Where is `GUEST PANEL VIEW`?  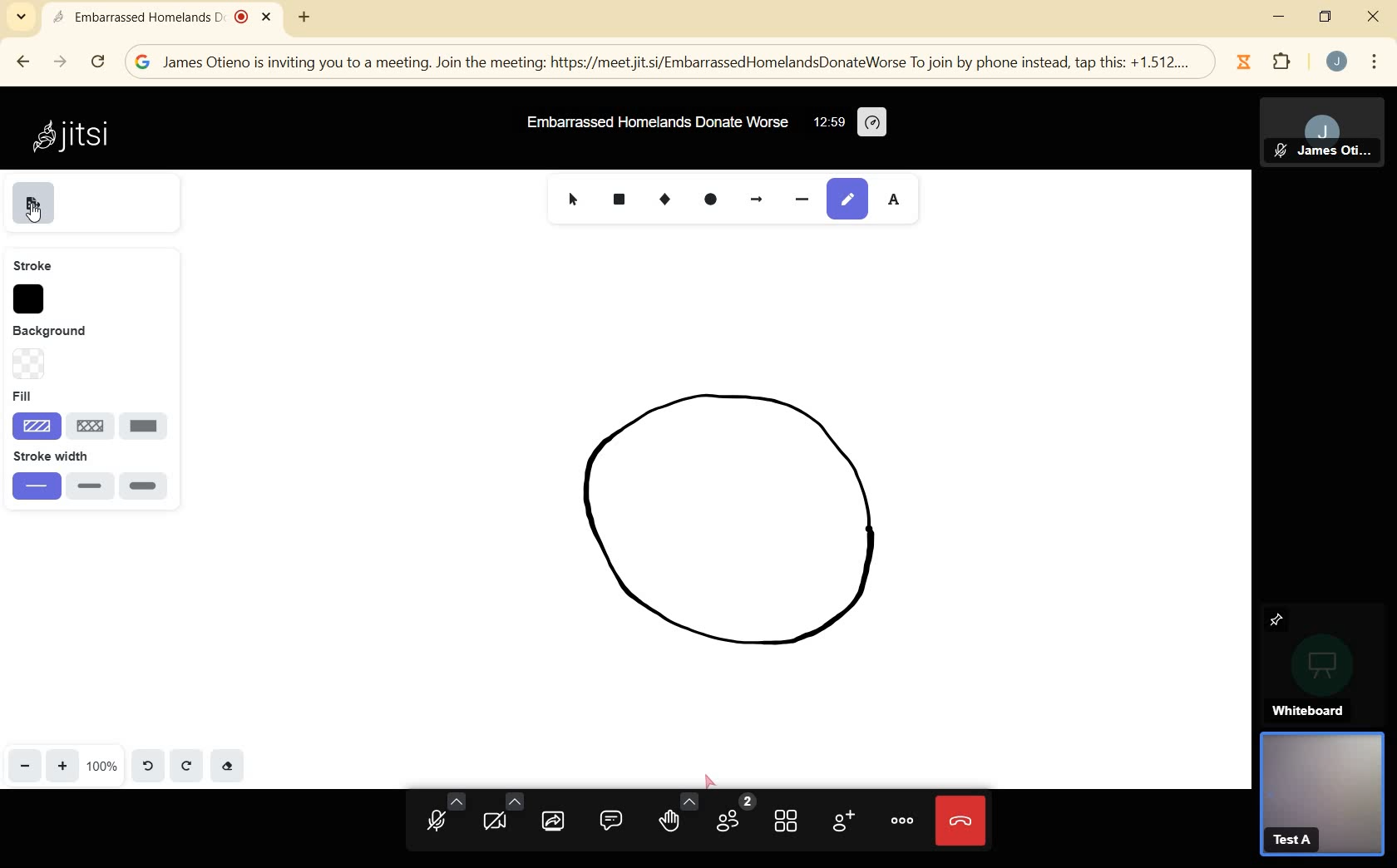 GUEST PANEL VIEW is located at coordinates (1321, 798).